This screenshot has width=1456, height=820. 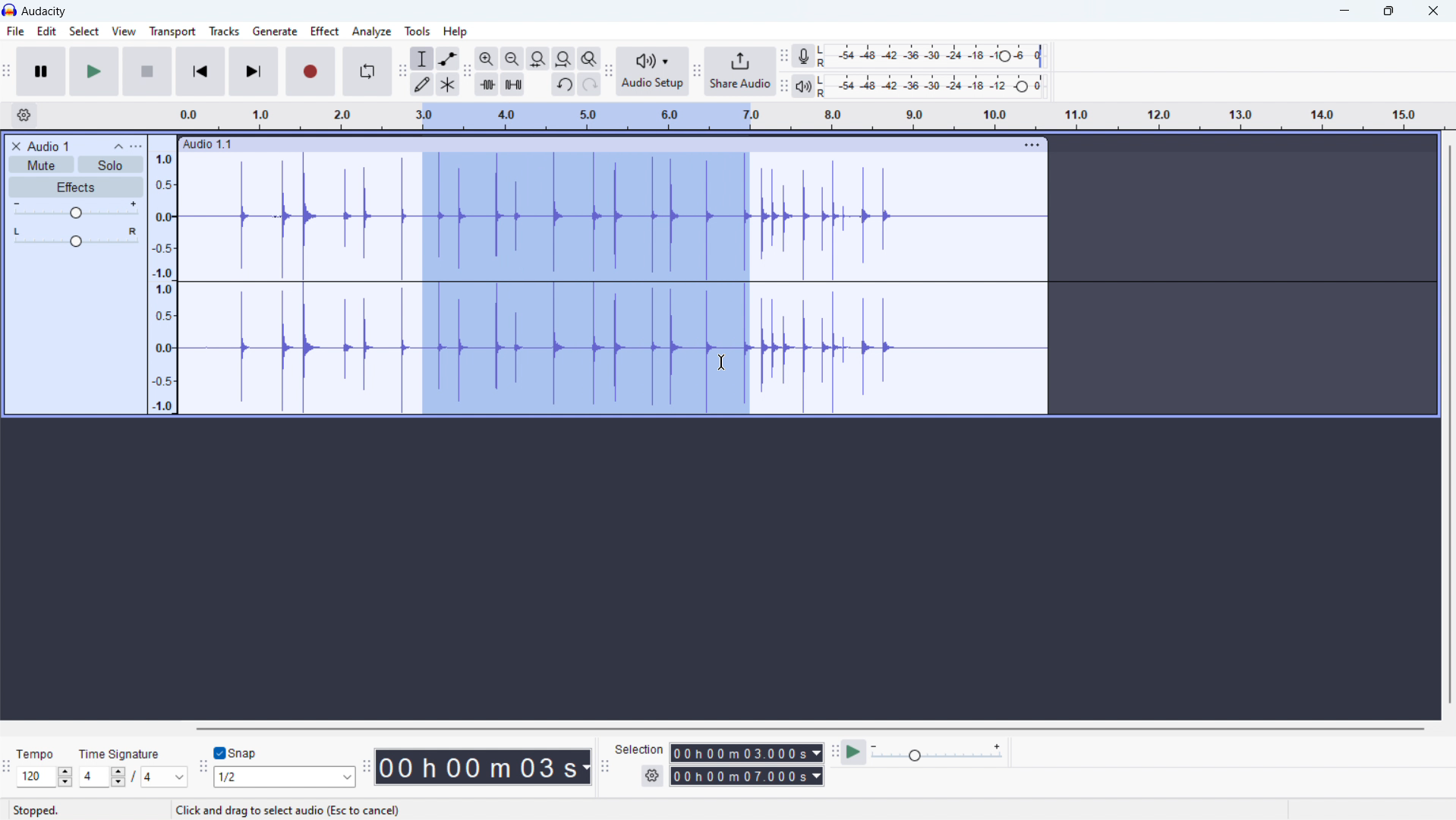 I want to click on draw tool, so click(x=421, y=84).